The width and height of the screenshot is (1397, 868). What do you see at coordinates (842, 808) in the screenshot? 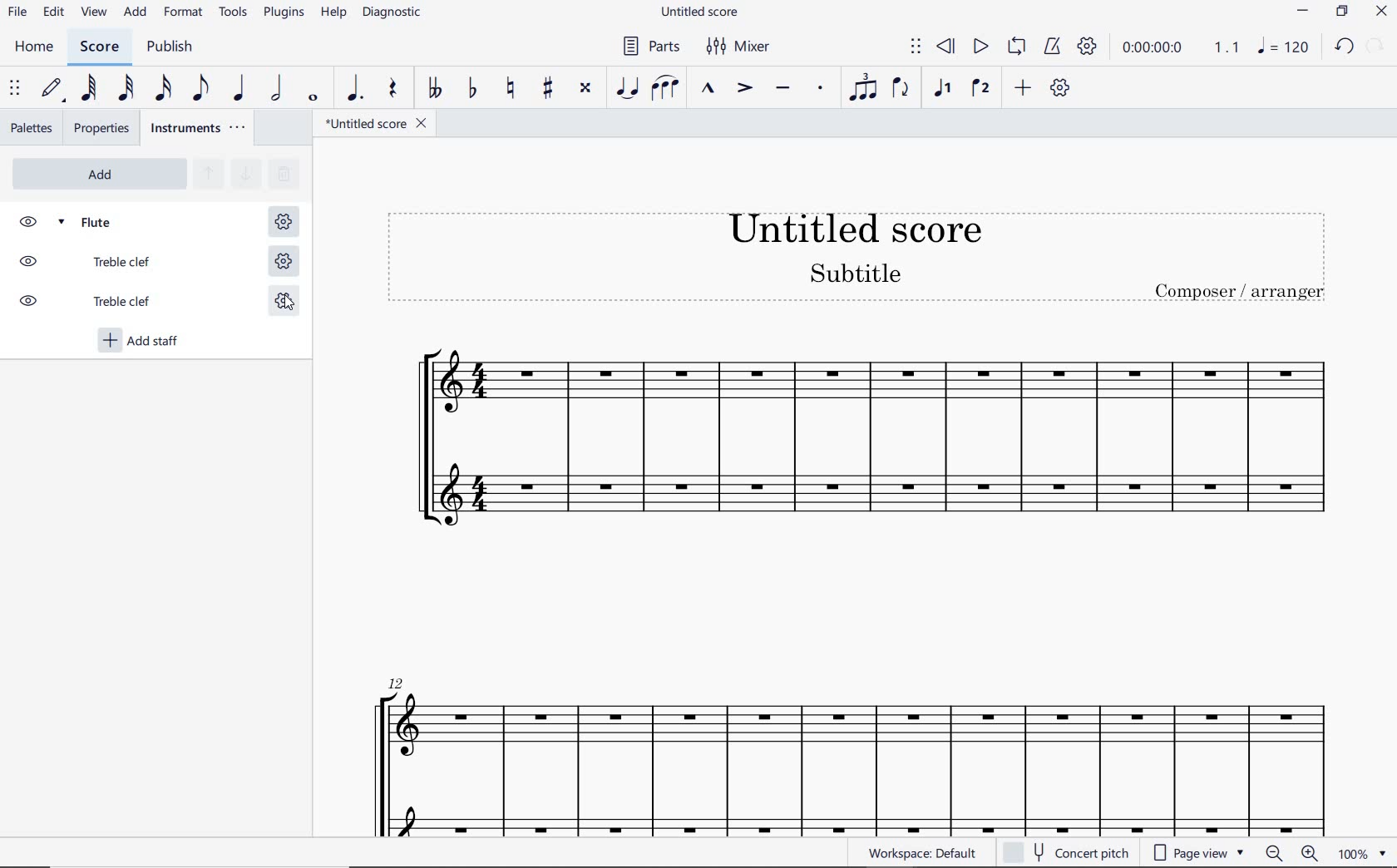
I see `ossia staff added` at bounding box center [842, 808].